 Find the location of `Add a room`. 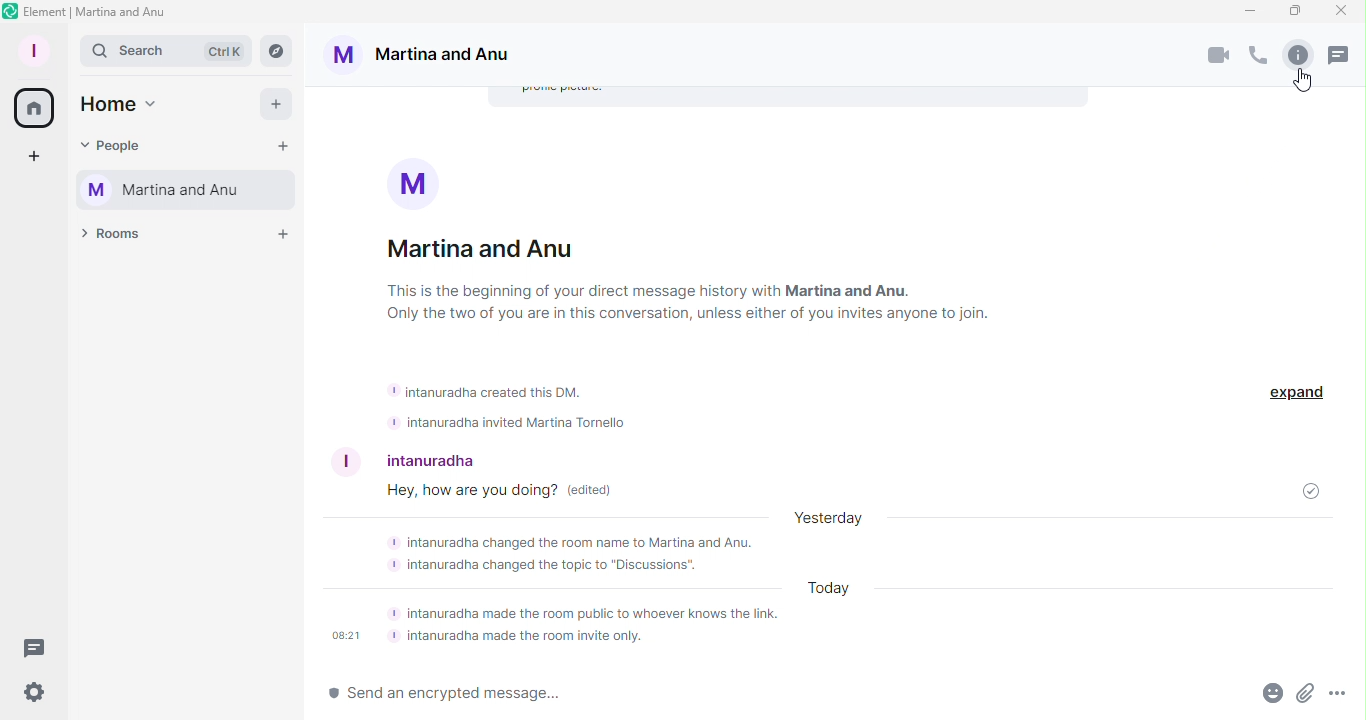

Add a room is located at coordinates (281, 232).